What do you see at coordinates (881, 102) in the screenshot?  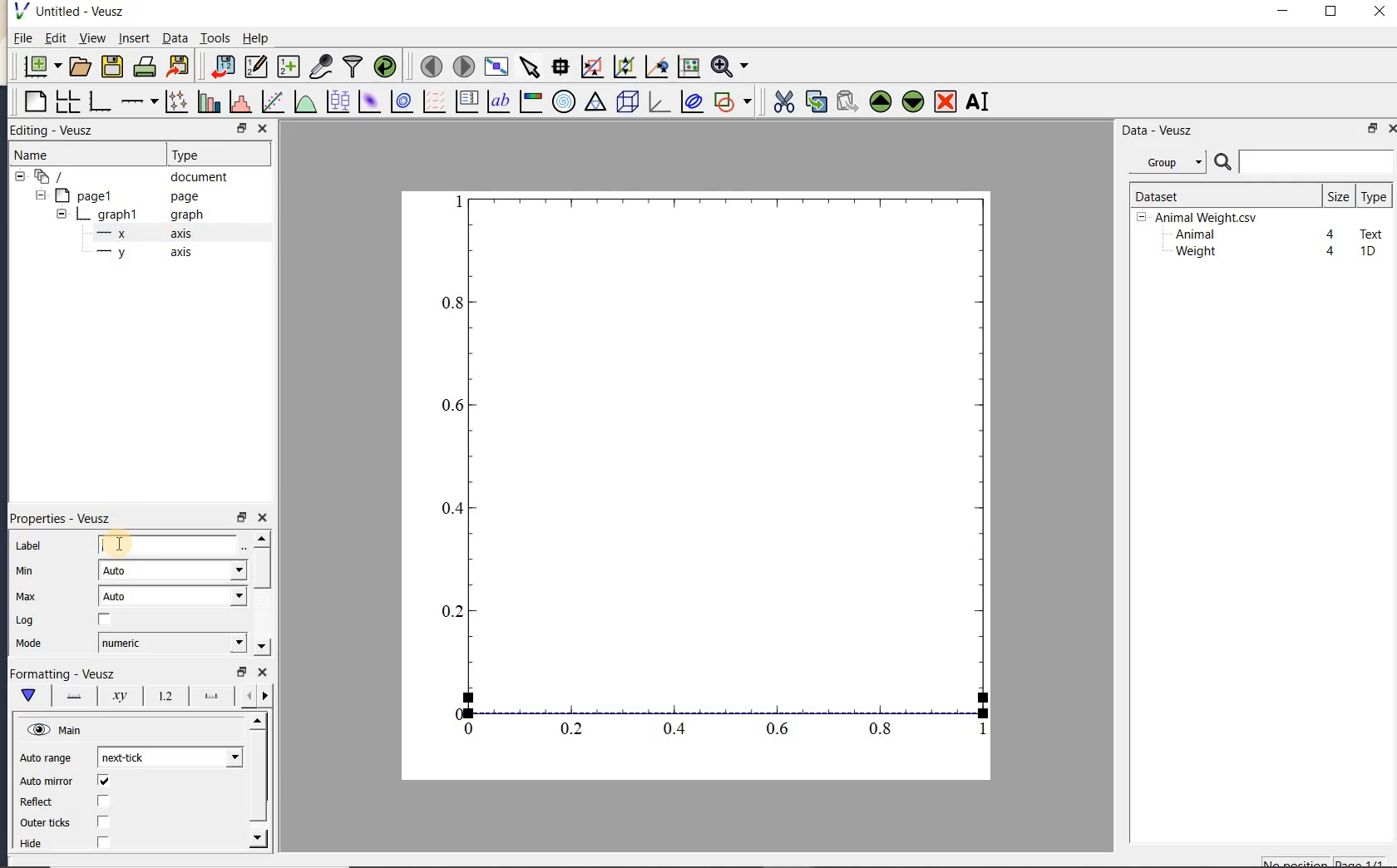 I see `move the selected widget up` at bounding box center [881, 102].